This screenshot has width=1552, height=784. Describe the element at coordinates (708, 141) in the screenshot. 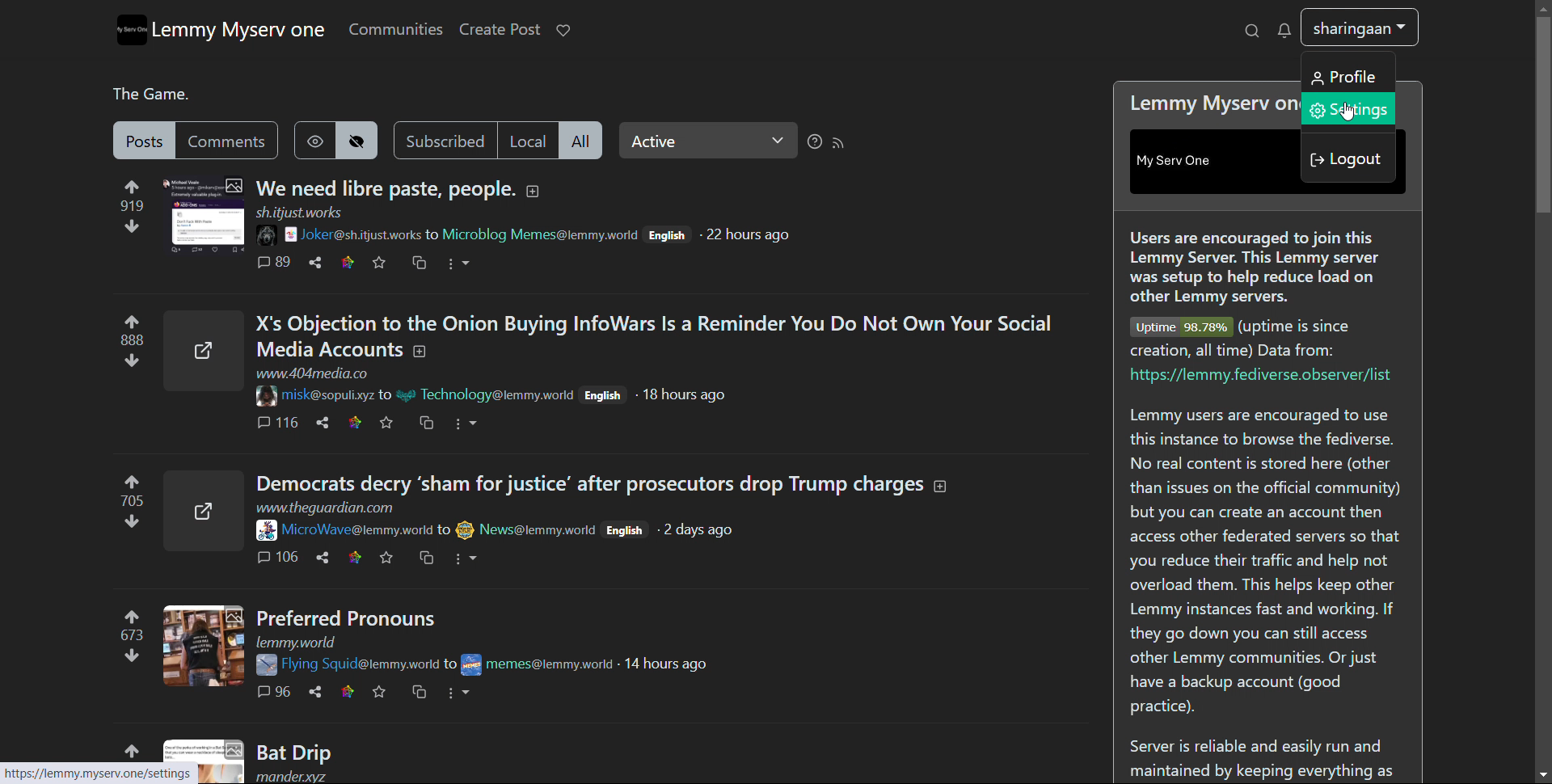

I see `select relevance` at that location.